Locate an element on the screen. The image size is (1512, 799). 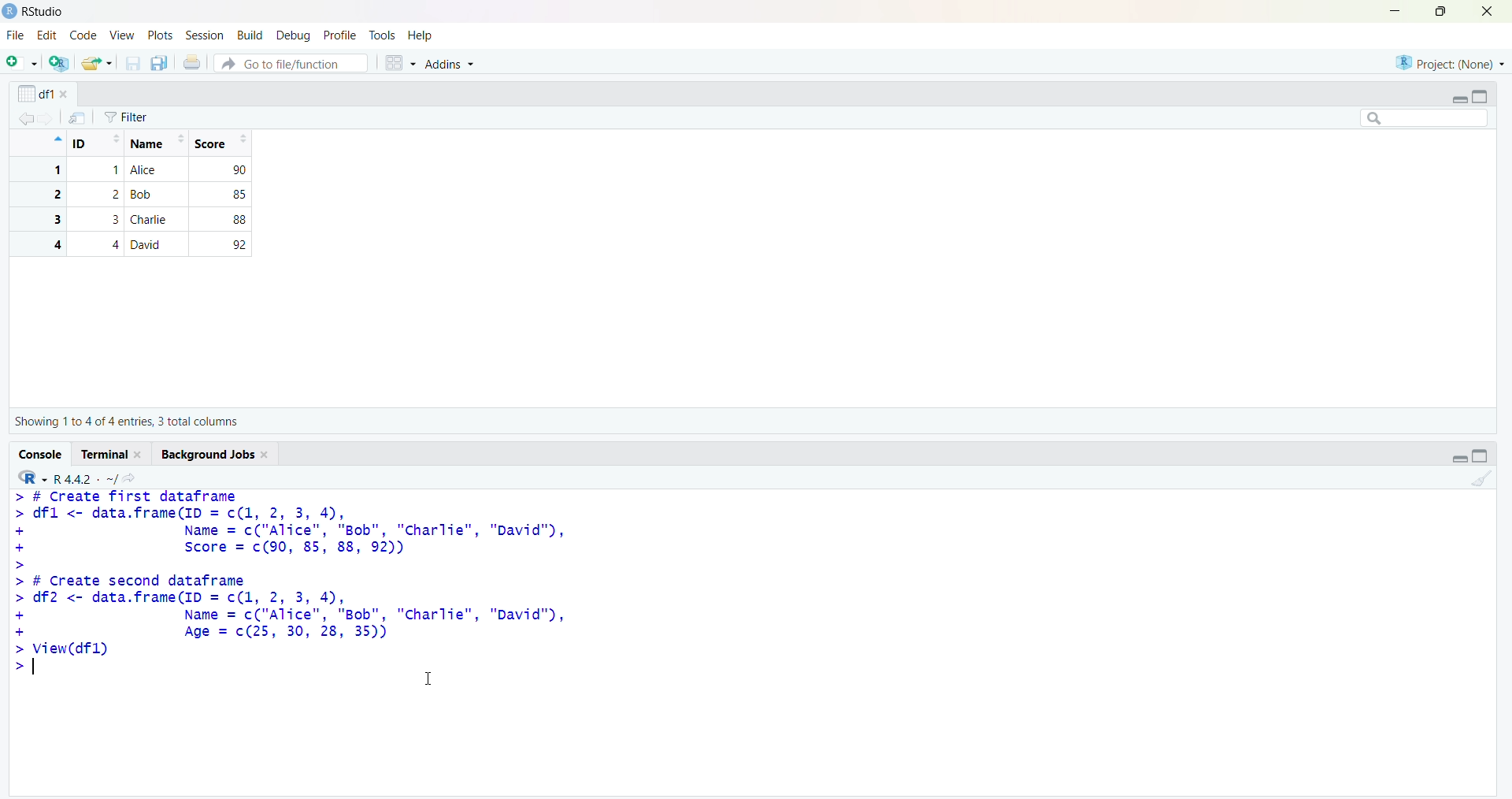
R 4.4.2  ~/ is located at coordinates (85, 479).